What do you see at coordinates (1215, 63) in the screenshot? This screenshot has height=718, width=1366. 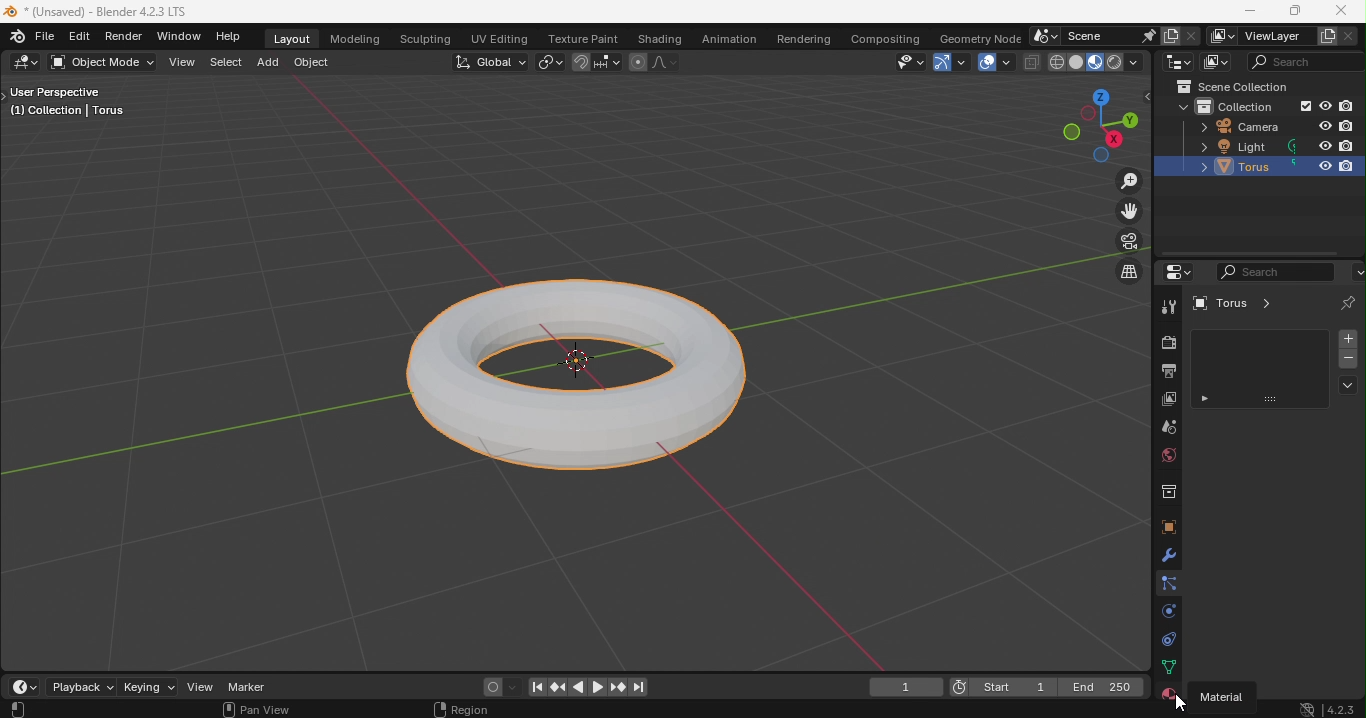 I see `Display mode` at bounding box center [1215, 63].